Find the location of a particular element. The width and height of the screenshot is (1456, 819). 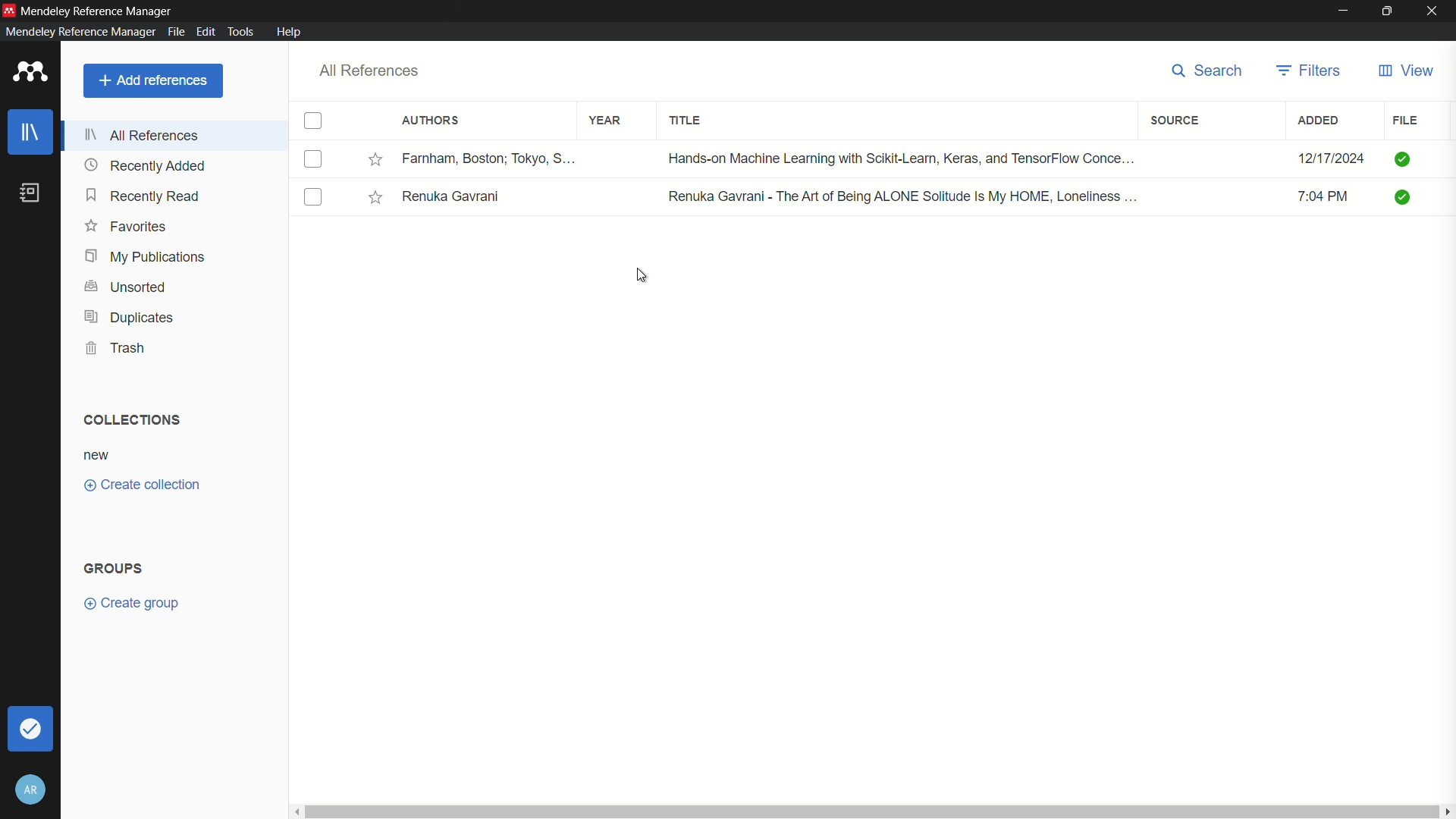

check box is located at coordinates (313, 120).